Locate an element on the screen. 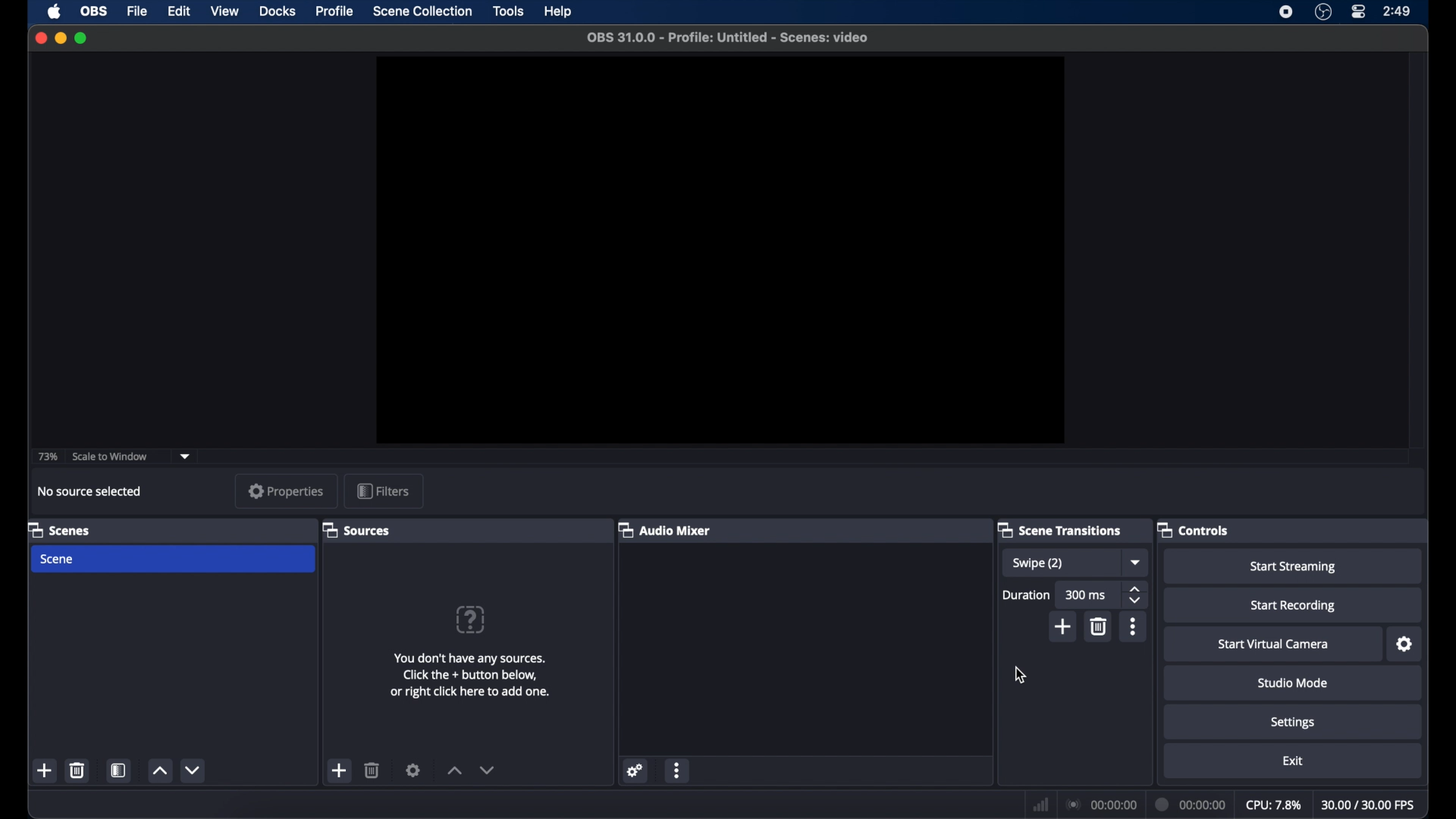  edit is located at coordinates (177, 11).